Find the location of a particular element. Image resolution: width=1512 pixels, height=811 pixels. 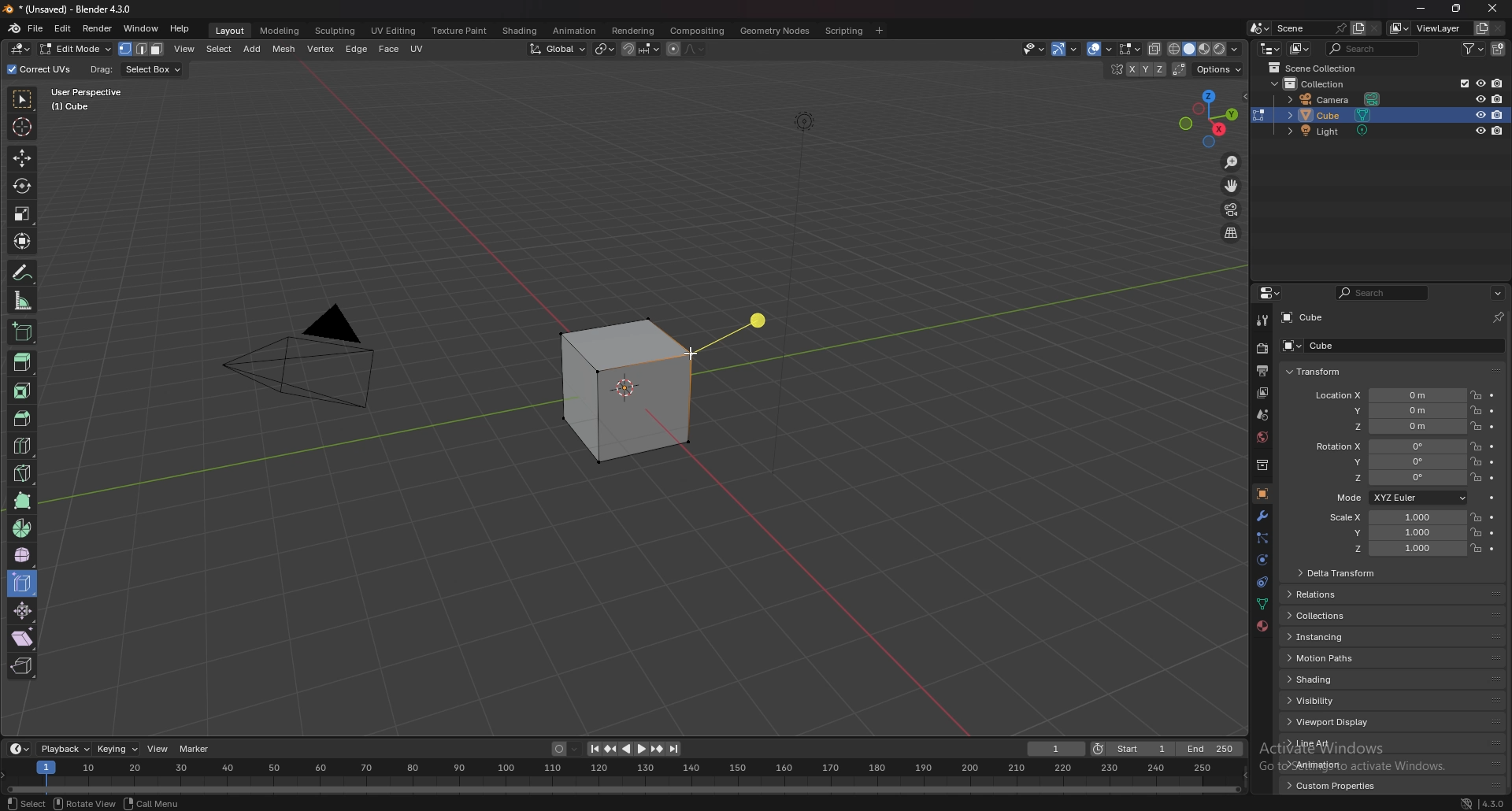

perspective/orthographic projection is located at coordinates (1232, 233).